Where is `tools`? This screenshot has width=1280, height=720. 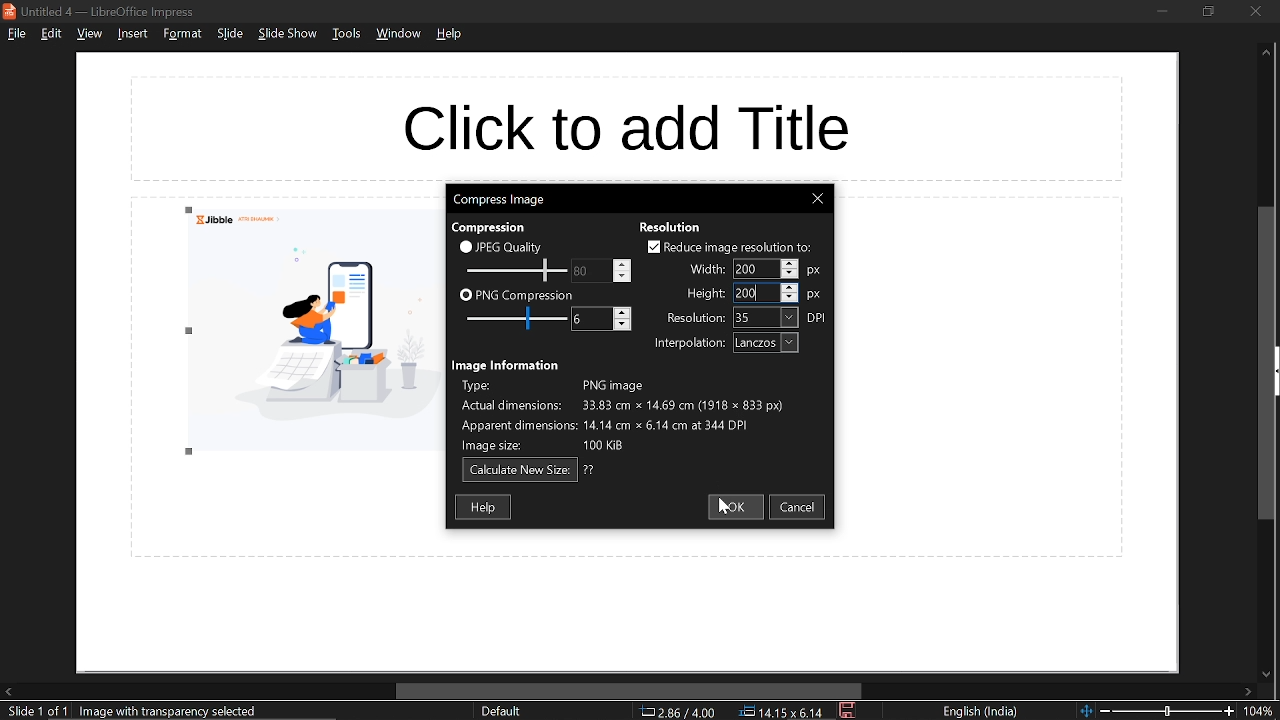
tools is located at coordinates (346, 33).